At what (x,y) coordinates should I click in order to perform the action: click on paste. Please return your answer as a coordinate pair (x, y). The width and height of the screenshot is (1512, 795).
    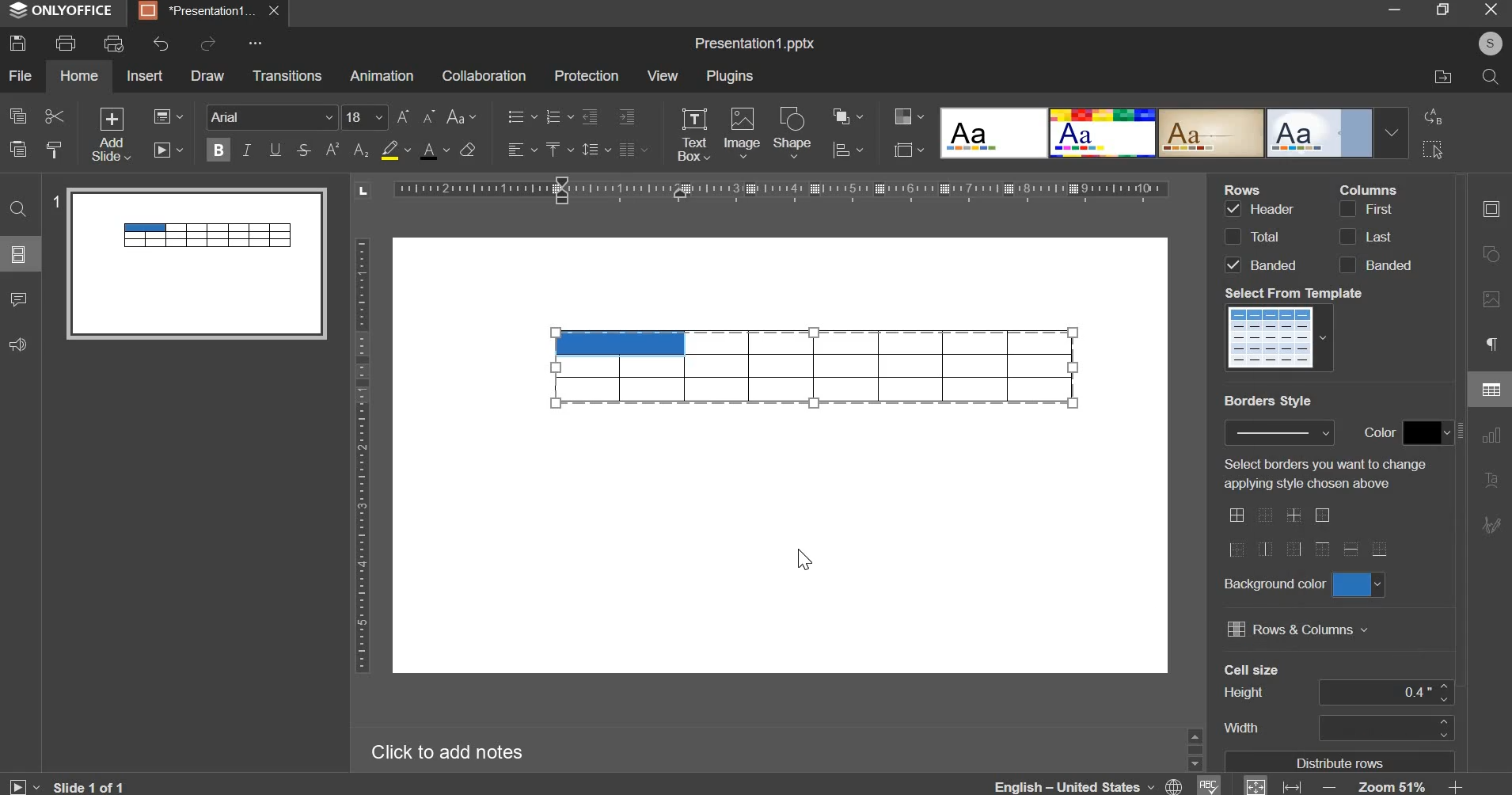
    Looking at the image, I should click on (17, 147).